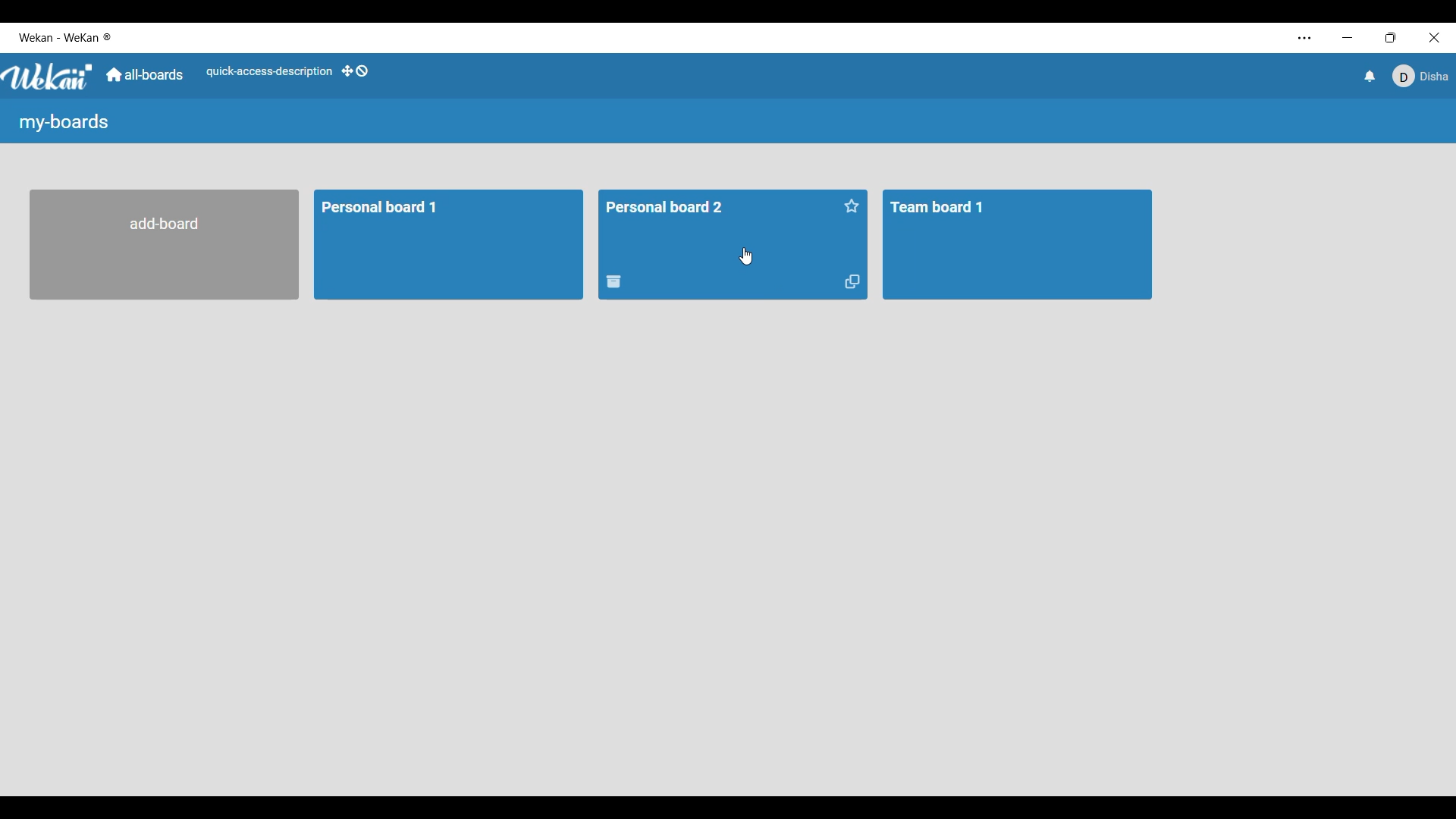 The width and height of the screenshot is (1456, 819). Describe the element at coordinates (49, 77) in the screenshot. I see `Software logo` at that location.